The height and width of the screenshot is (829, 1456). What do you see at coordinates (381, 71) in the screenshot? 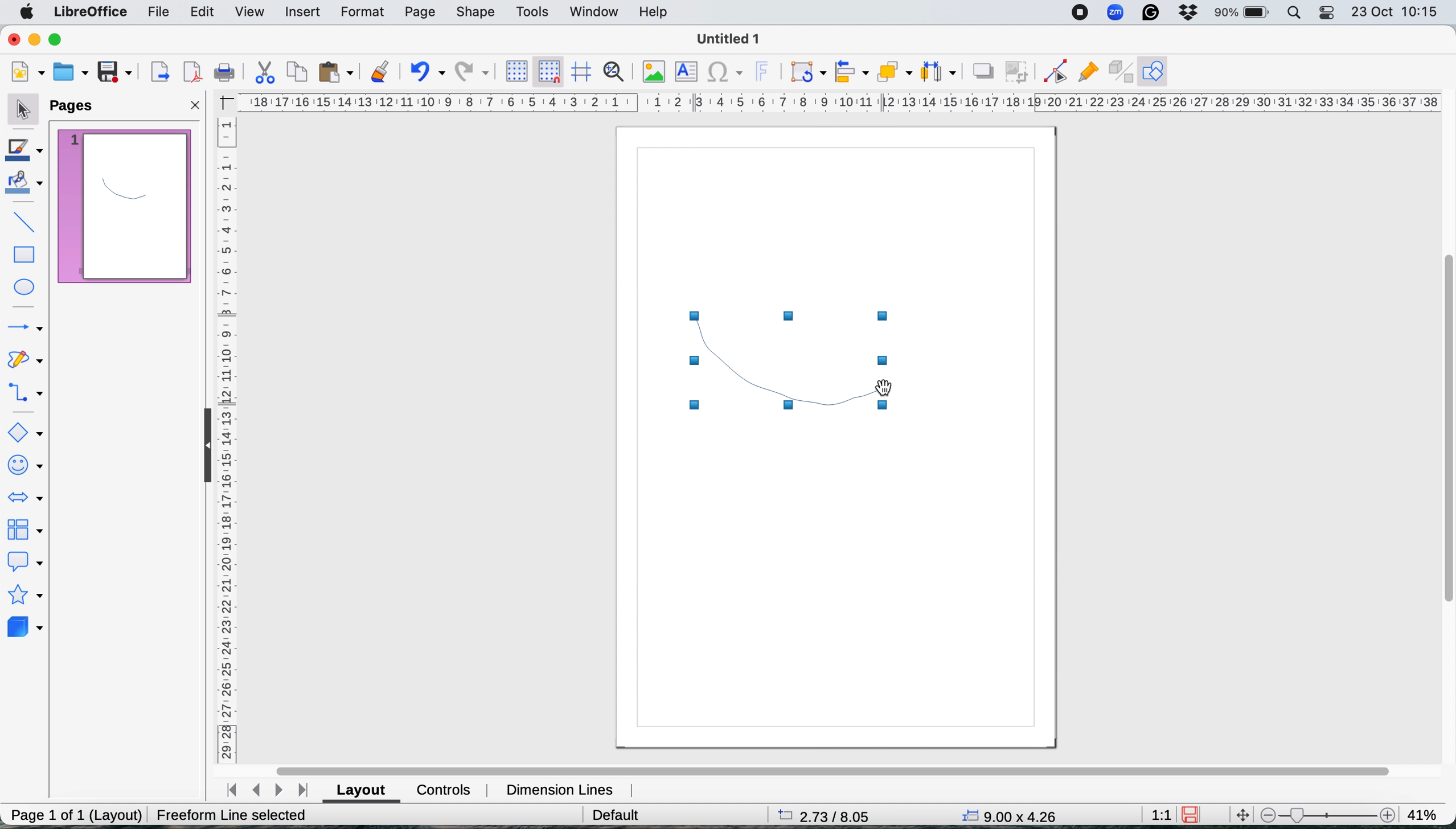
I see `clone formatting` at bounding box center [381, 71].